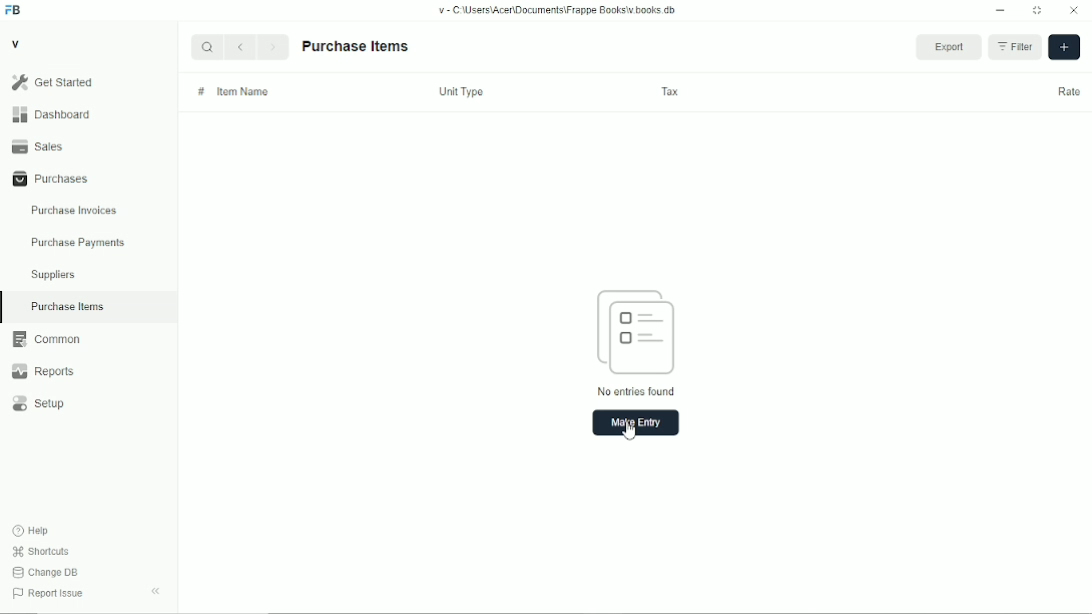 The height and width of the screenshot is (614, 1092). What do you see at coordinates (32, 531) in the screenshot?
I see `help` at bounding box center [32, 531].